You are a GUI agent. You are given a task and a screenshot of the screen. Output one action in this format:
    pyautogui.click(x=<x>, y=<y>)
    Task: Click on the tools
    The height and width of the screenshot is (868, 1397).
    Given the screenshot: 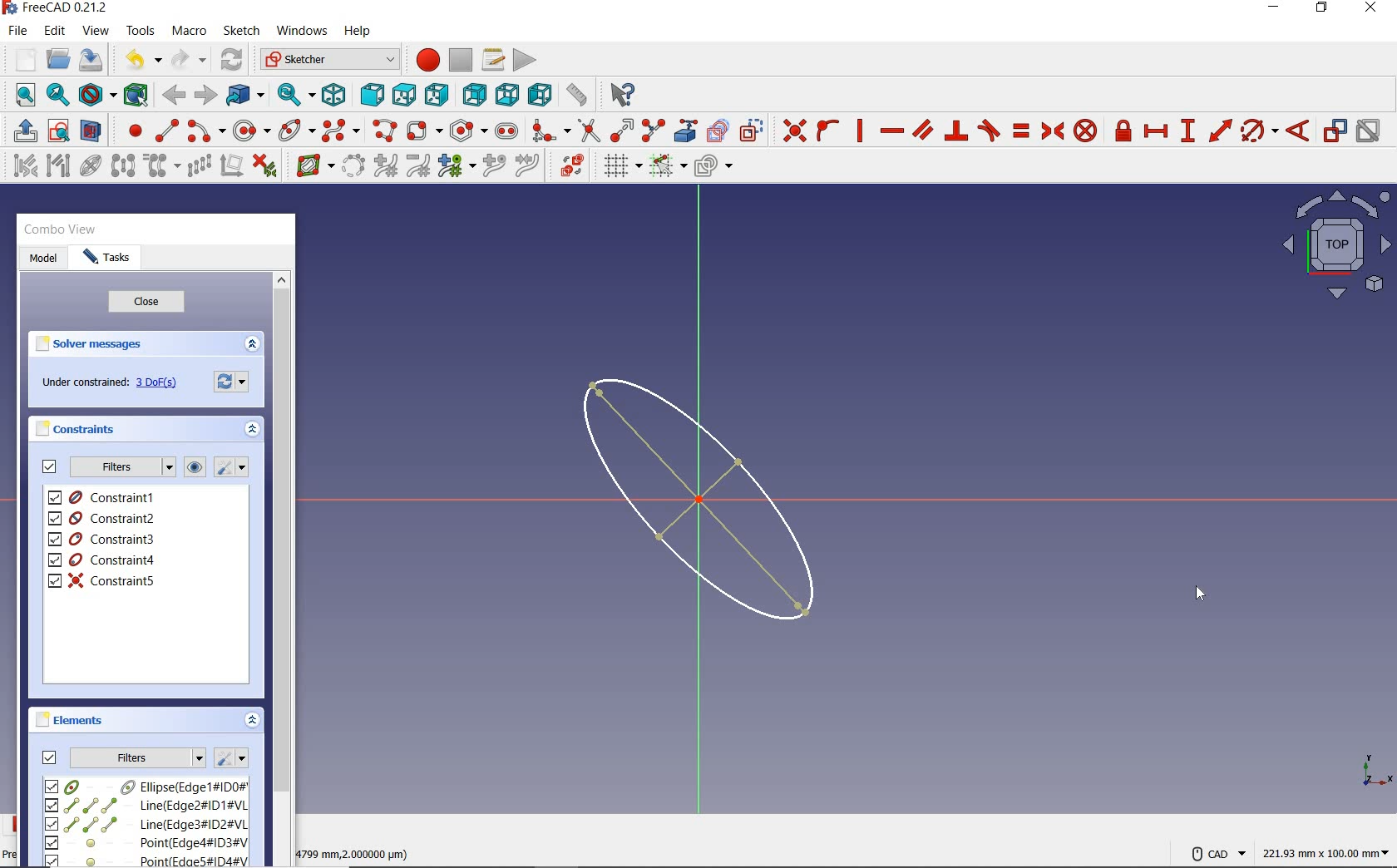 What is the action you would take?
    pyautogui.click(x=142, y=30)
    